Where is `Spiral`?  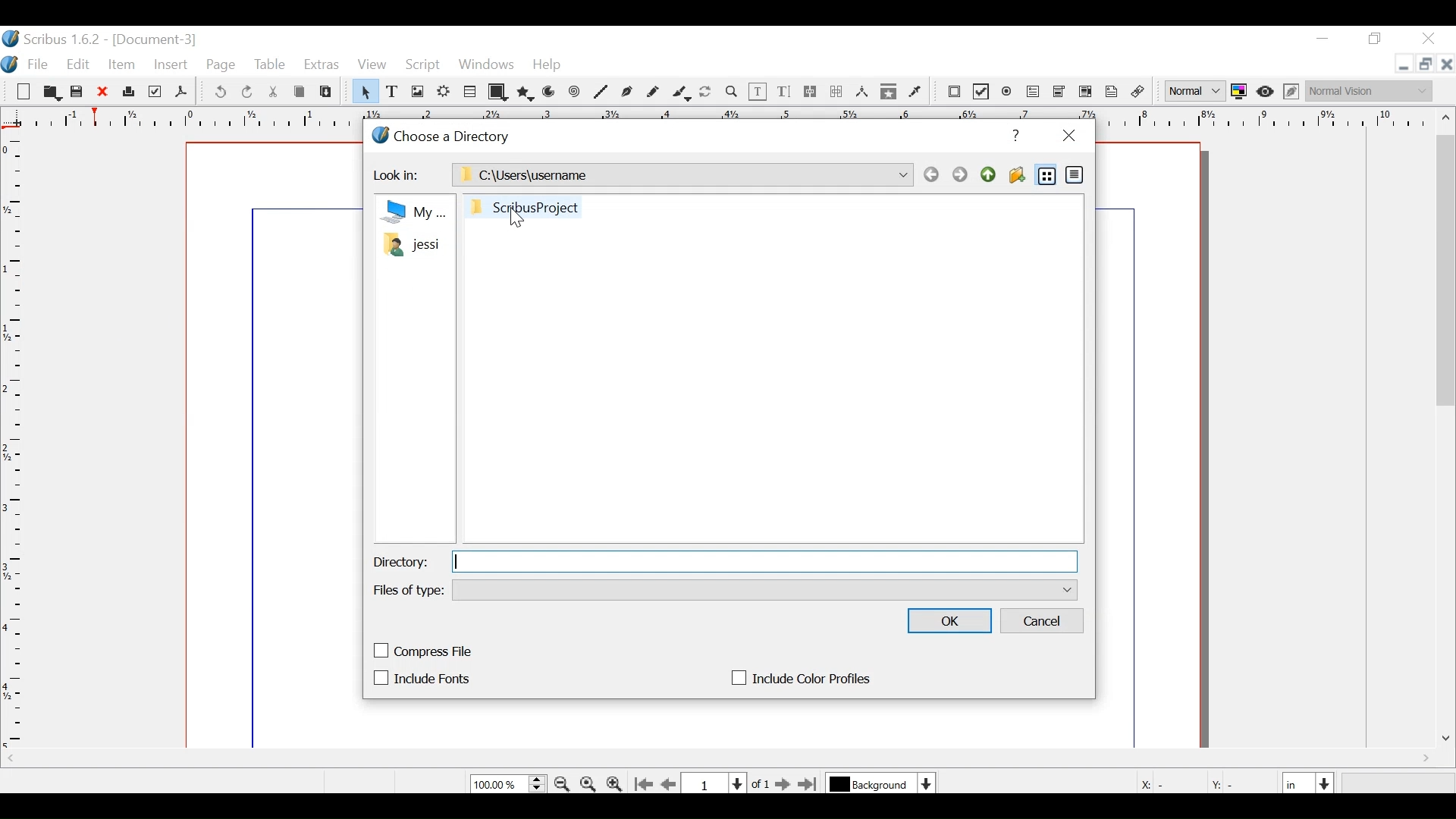
Spiral is located at coordinates (575, 93).